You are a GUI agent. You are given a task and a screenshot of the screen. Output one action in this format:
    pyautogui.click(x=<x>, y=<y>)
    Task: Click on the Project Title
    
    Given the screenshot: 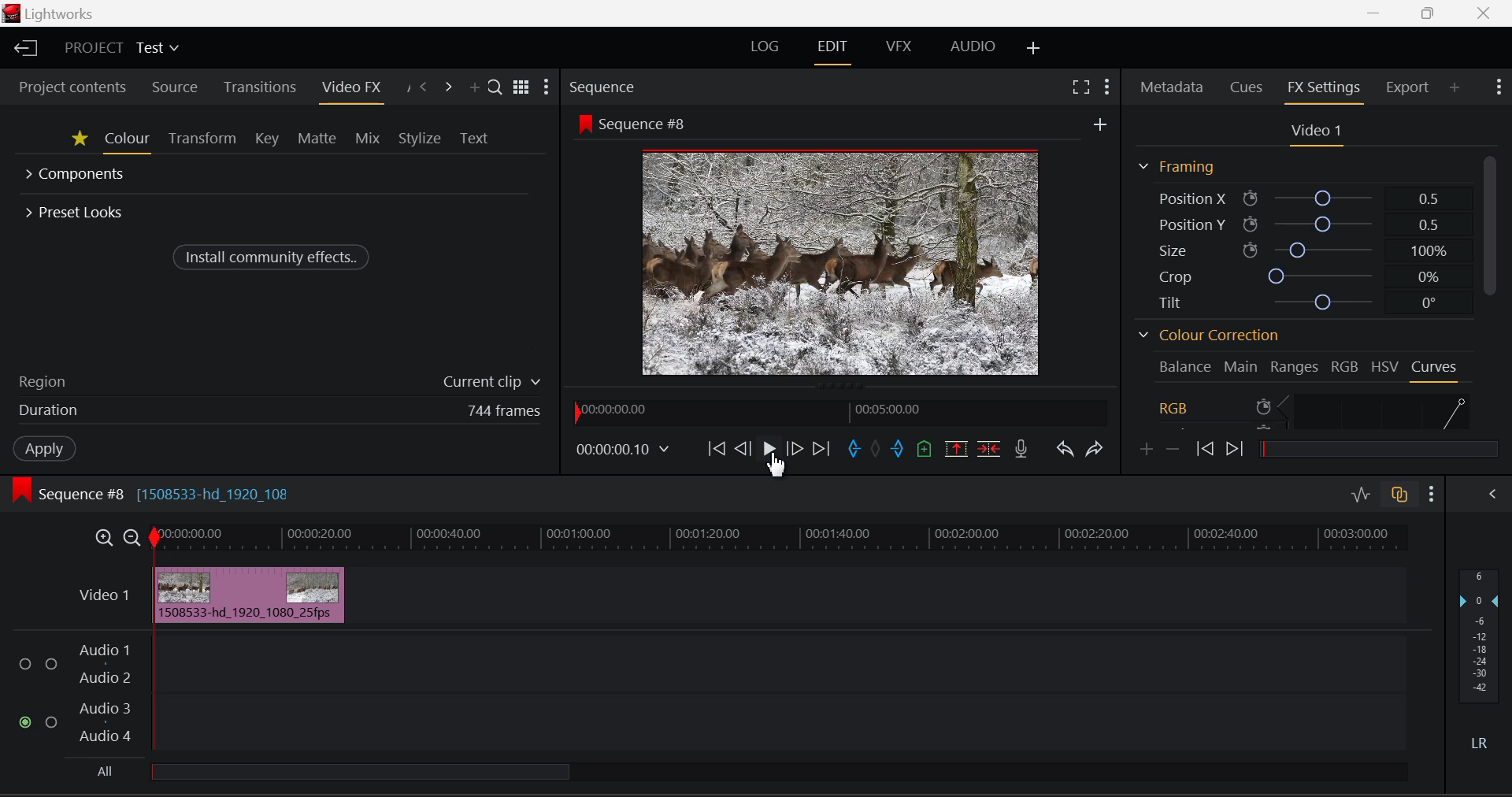 What is the action you would take?
    pyautogui.click(x=121, y=49)
    